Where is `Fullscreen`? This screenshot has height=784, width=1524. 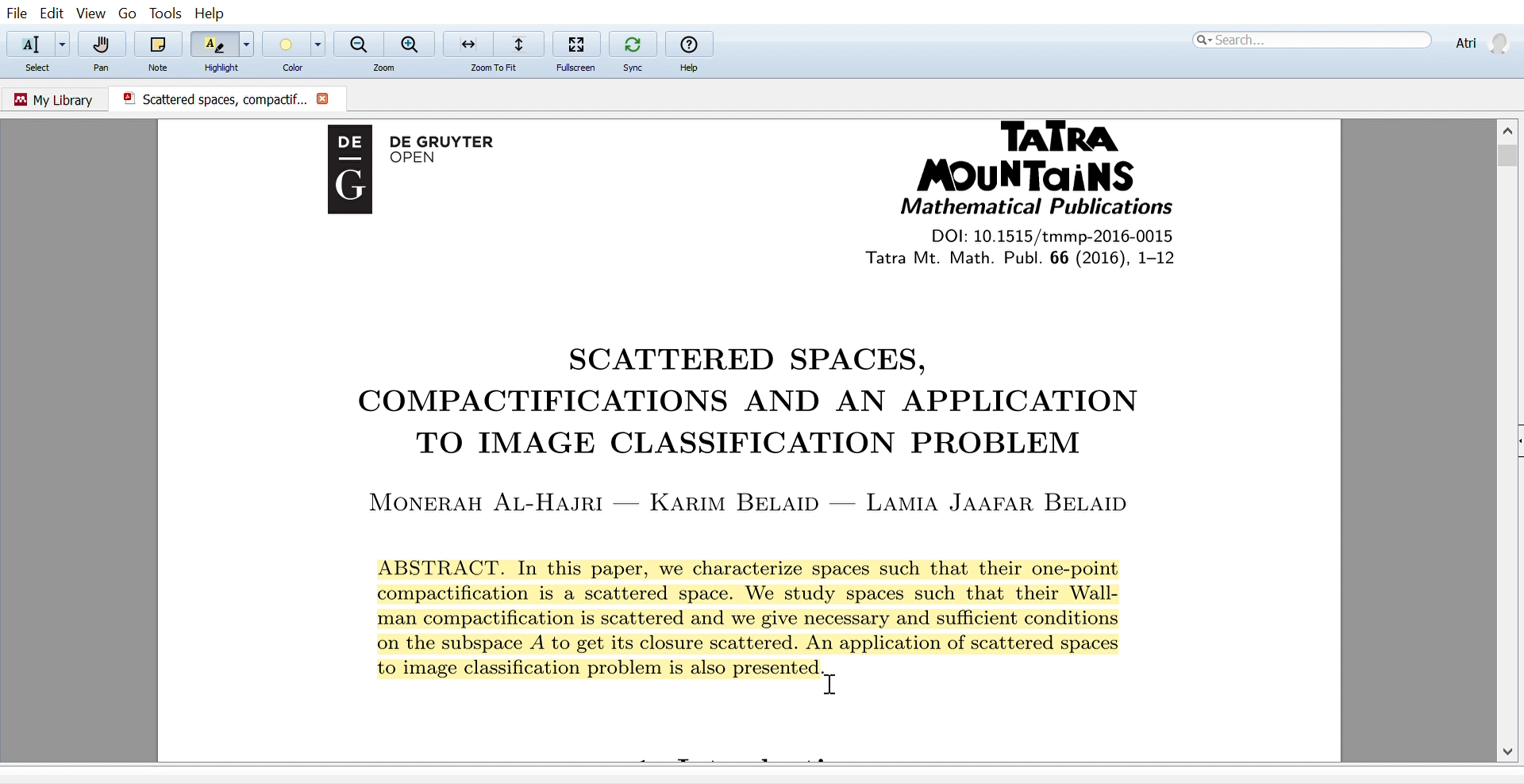 Fullscreen is located at coordinates (577, 43).